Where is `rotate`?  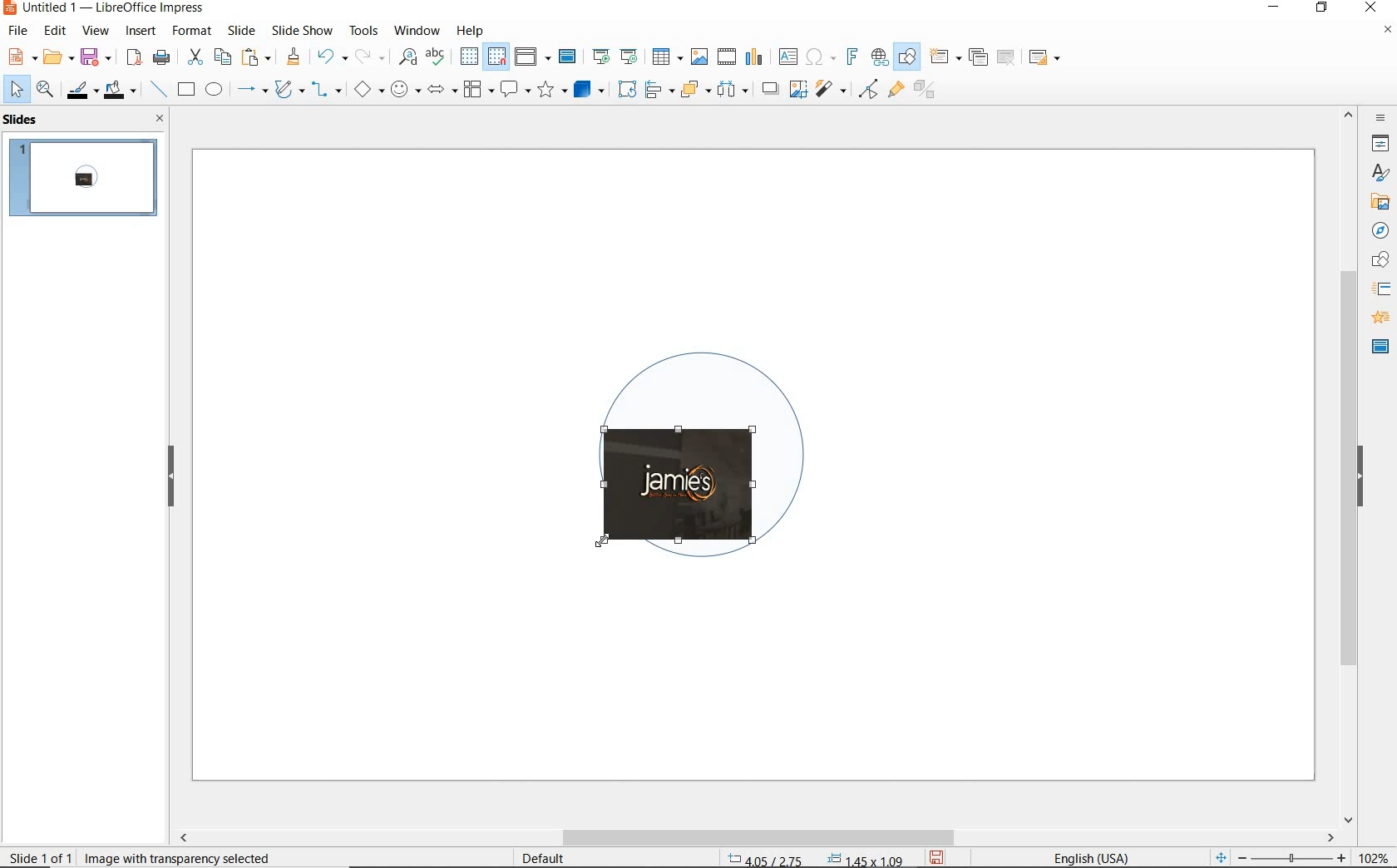 rotate is located at coordinates (624, 88).